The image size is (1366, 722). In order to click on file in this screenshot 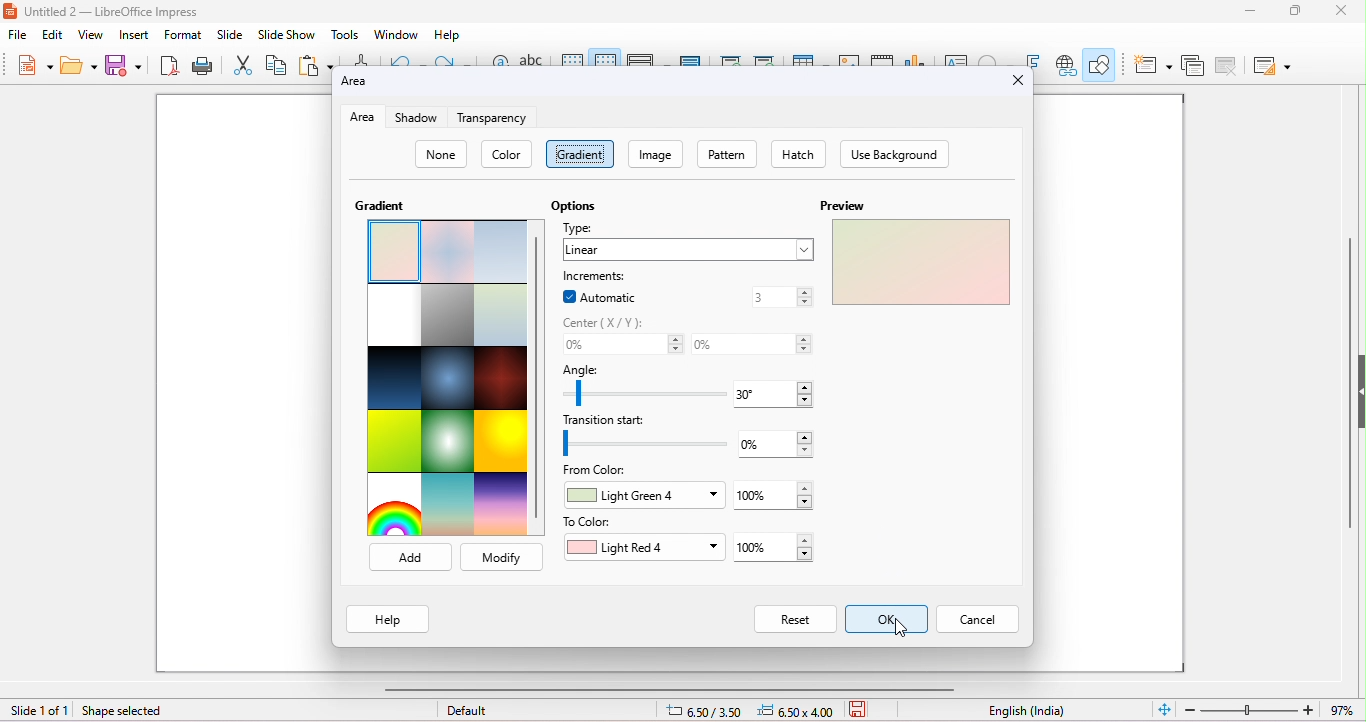, I will do `click(17, 35)`.